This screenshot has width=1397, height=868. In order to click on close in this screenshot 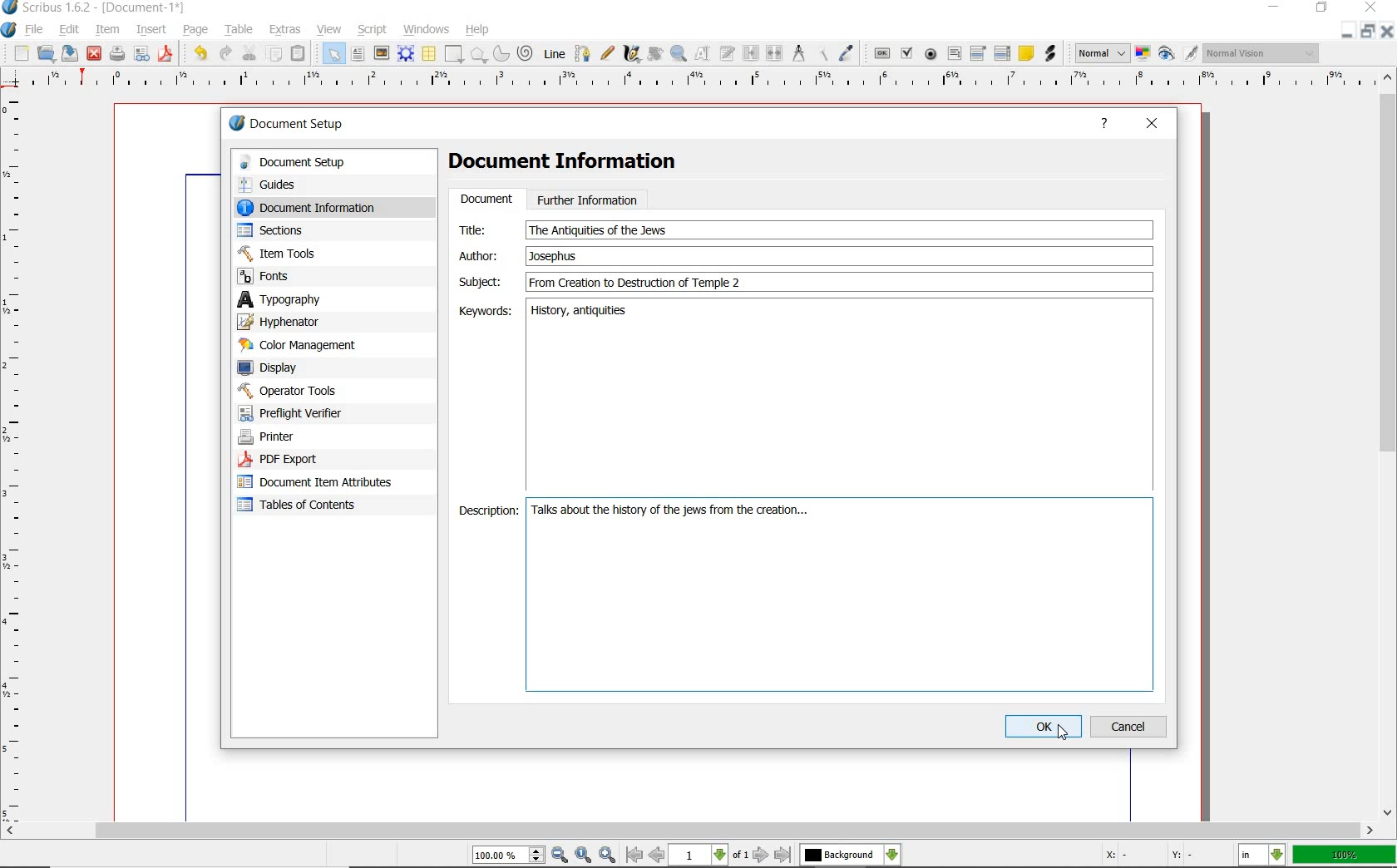, I will do `click(1371, 7)`.